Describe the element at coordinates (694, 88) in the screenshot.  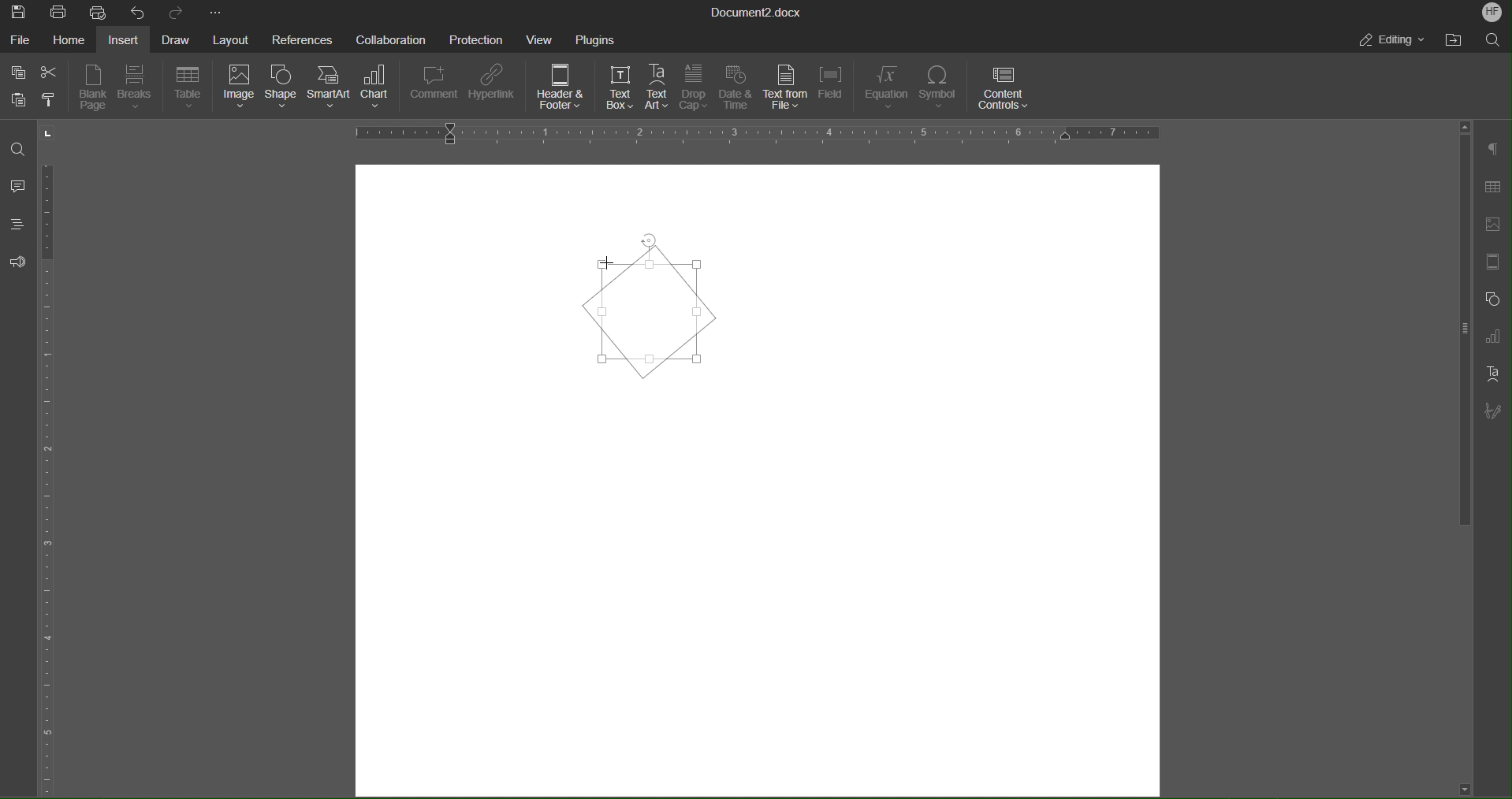
I see `Drop Cap` at that location.